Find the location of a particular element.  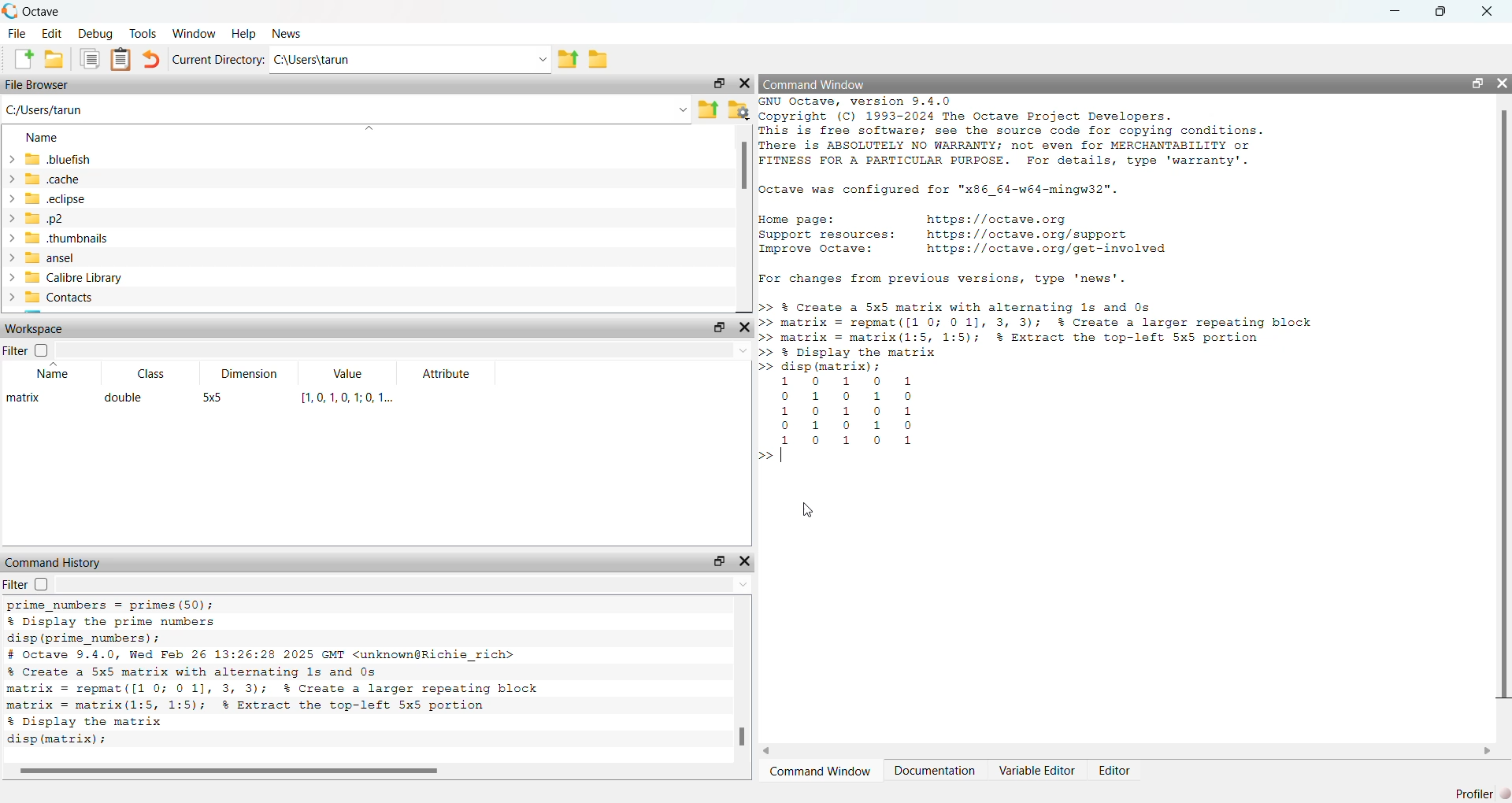

For changes from previous versions, type 'news'. is located at coordinates (947, 280).